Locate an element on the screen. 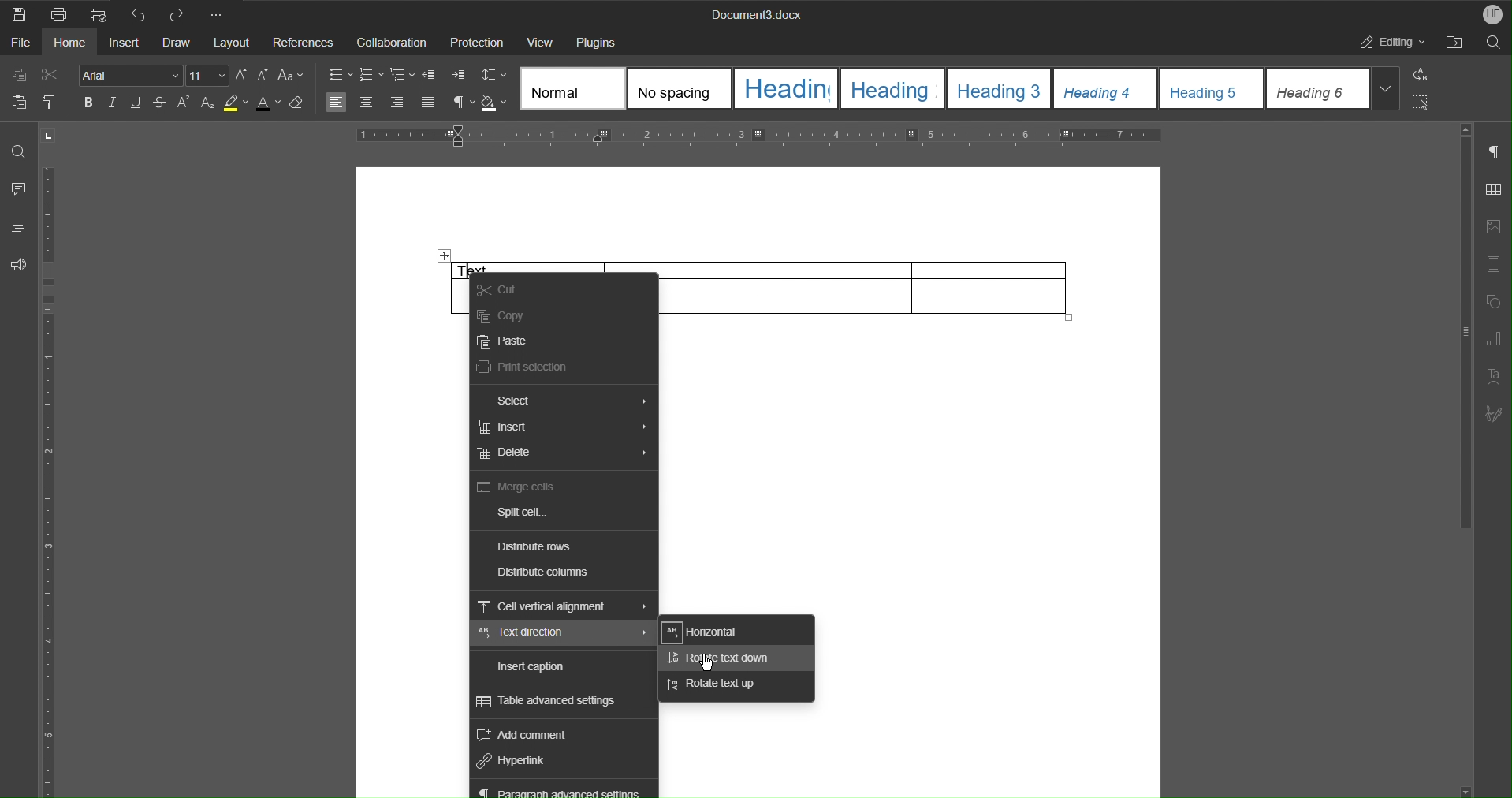 Image resolution: width=1512 pixels, height=798 pixels. Heading 2 is located at coordinates (893, 88).